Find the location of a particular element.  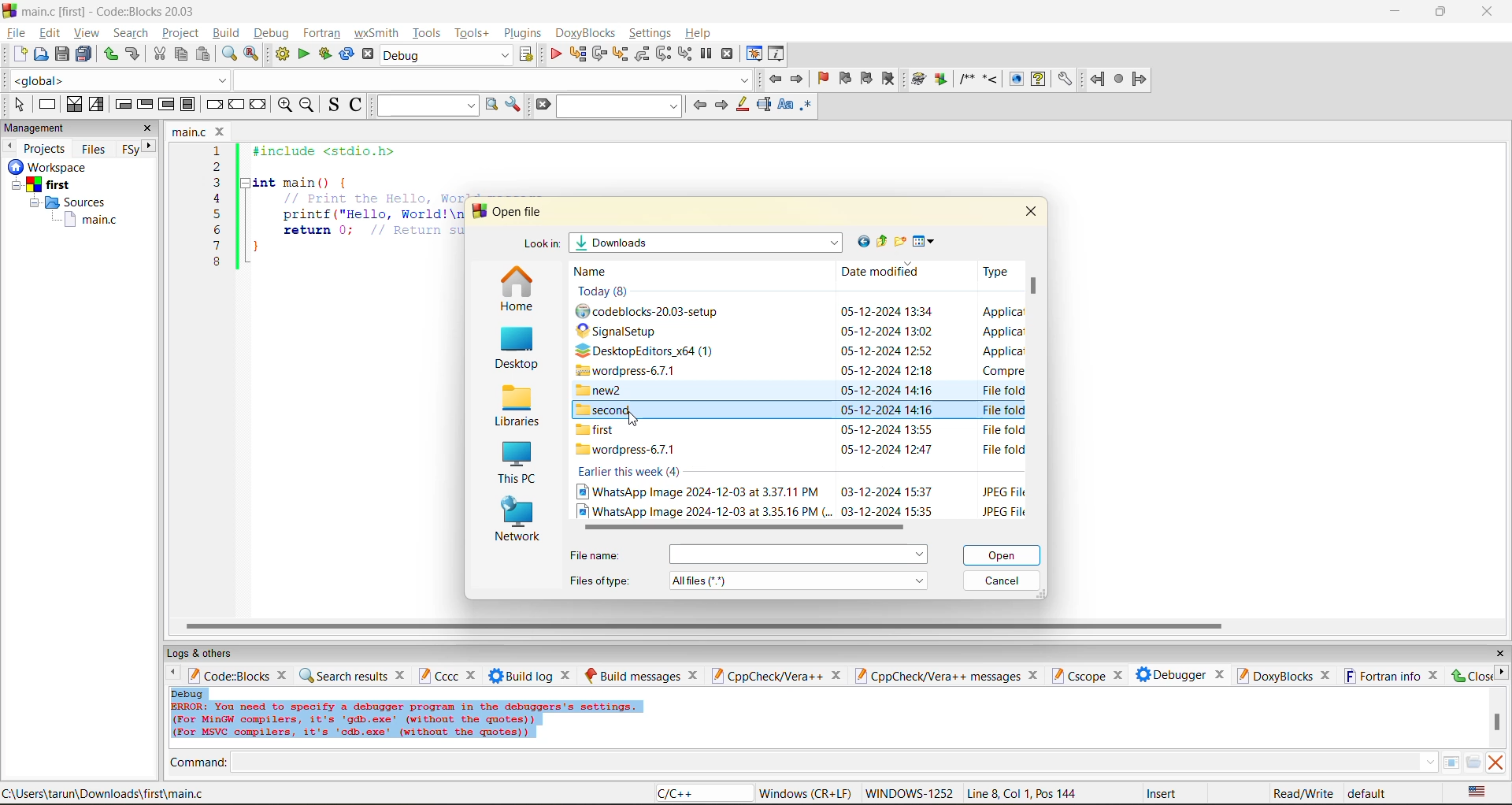

file name is located at coordinates (191, 132).